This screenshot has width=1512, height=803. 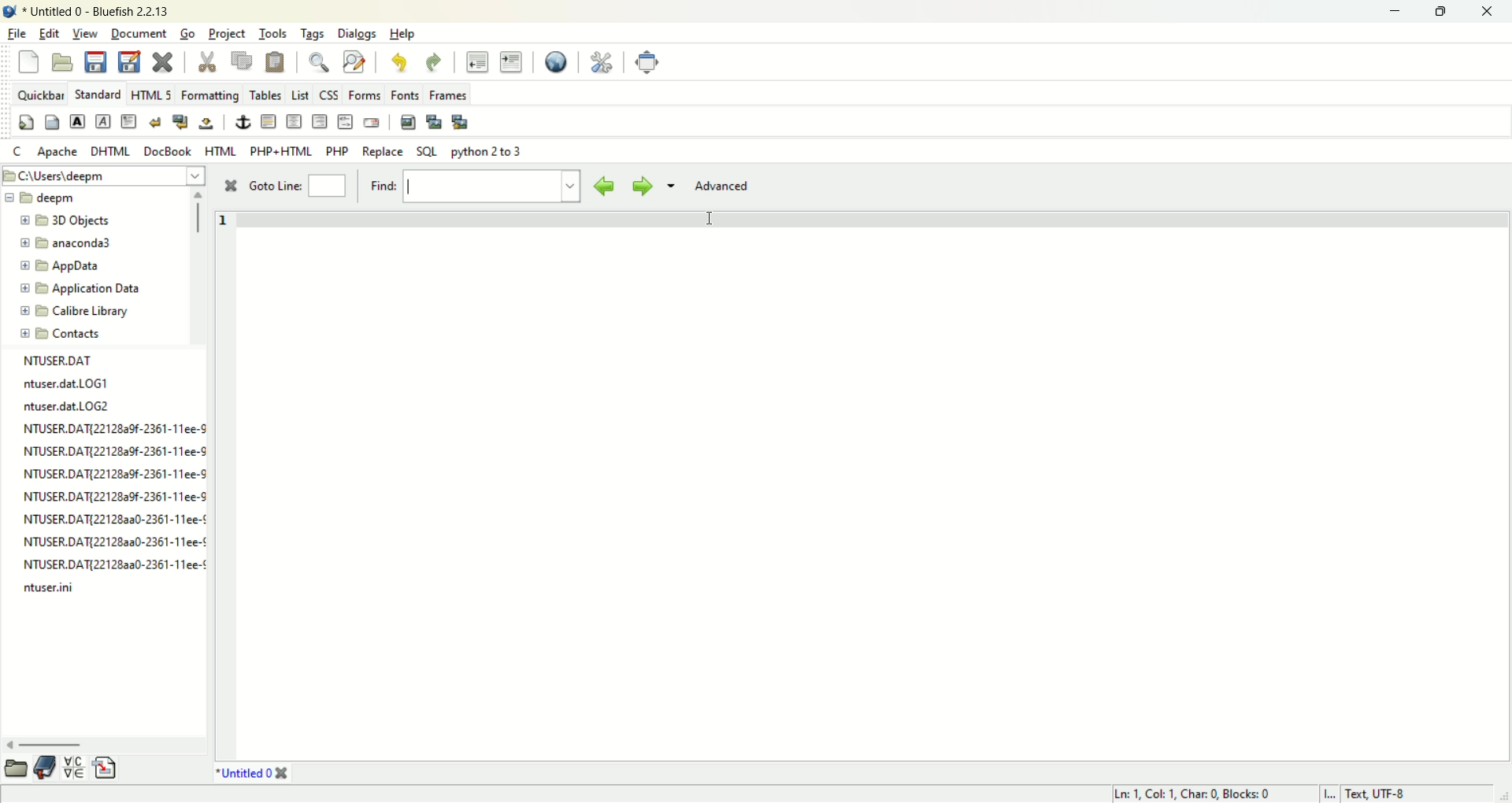 What do you see at coordinates (447, 94) in the screenshot?
I see `frames` at bounding box center [447, 94].